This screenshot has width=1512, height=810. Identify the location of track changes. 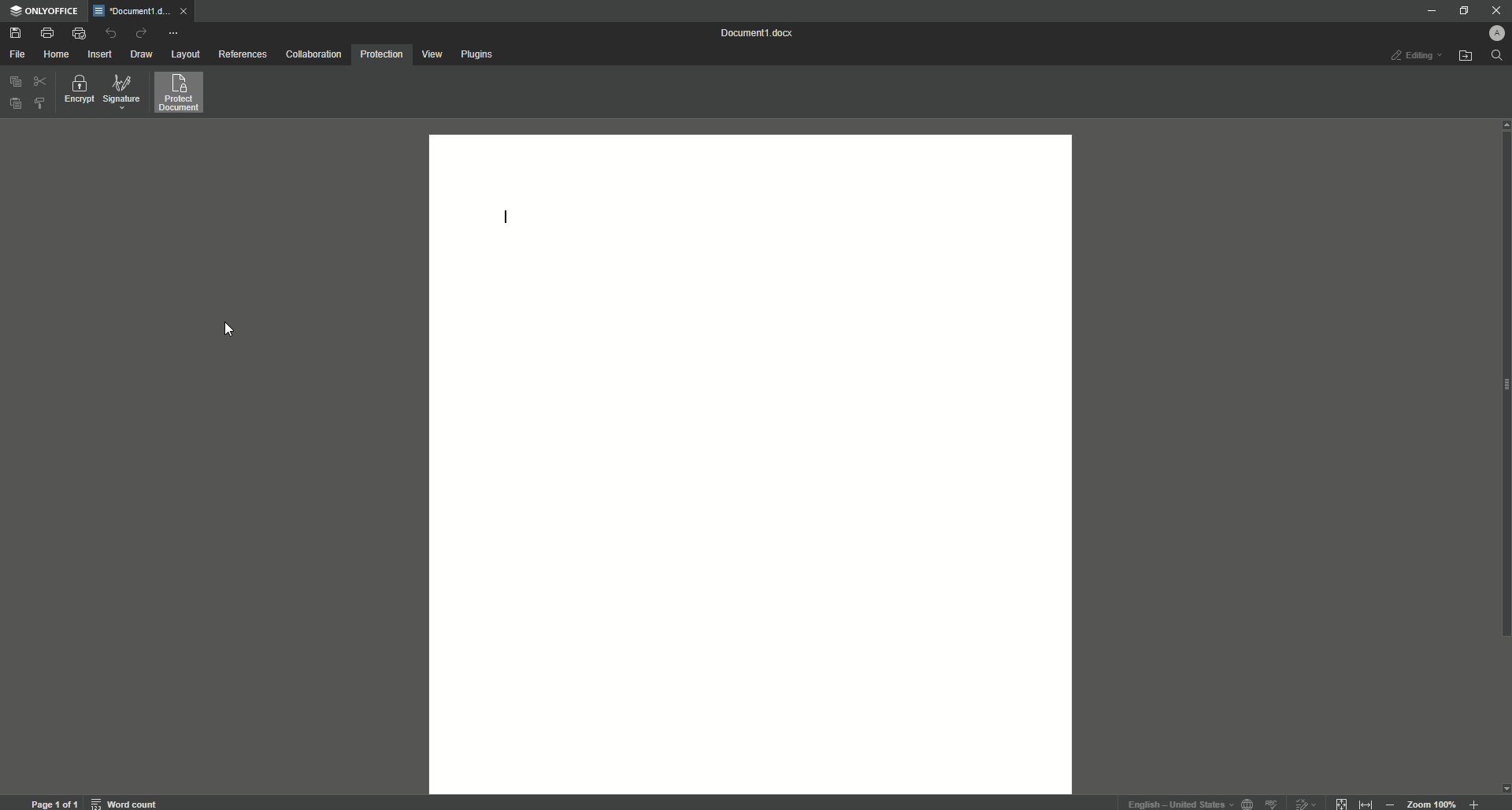
(1306, 802).